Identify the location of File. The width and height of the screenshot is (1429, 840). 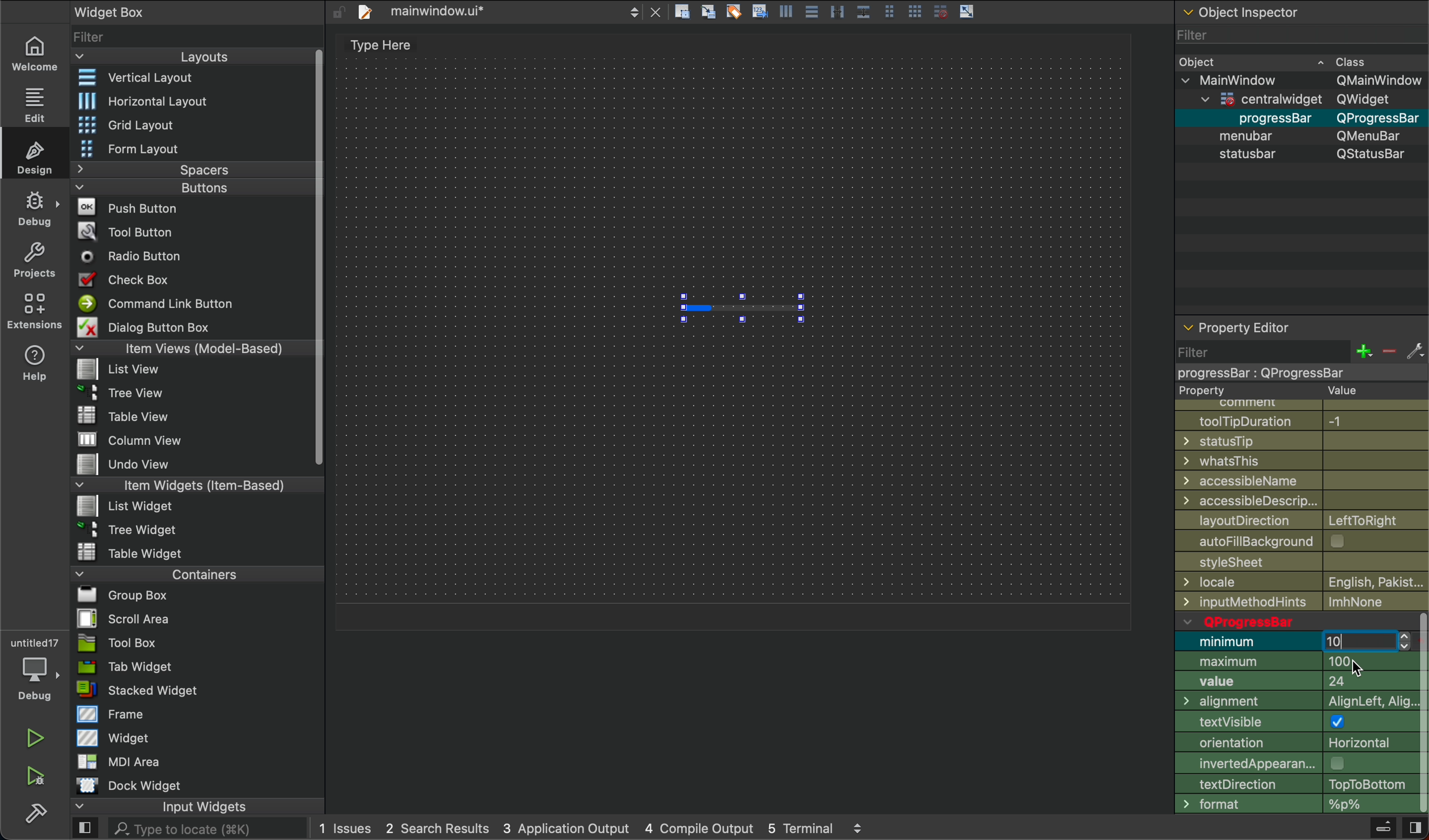
(137, 465).